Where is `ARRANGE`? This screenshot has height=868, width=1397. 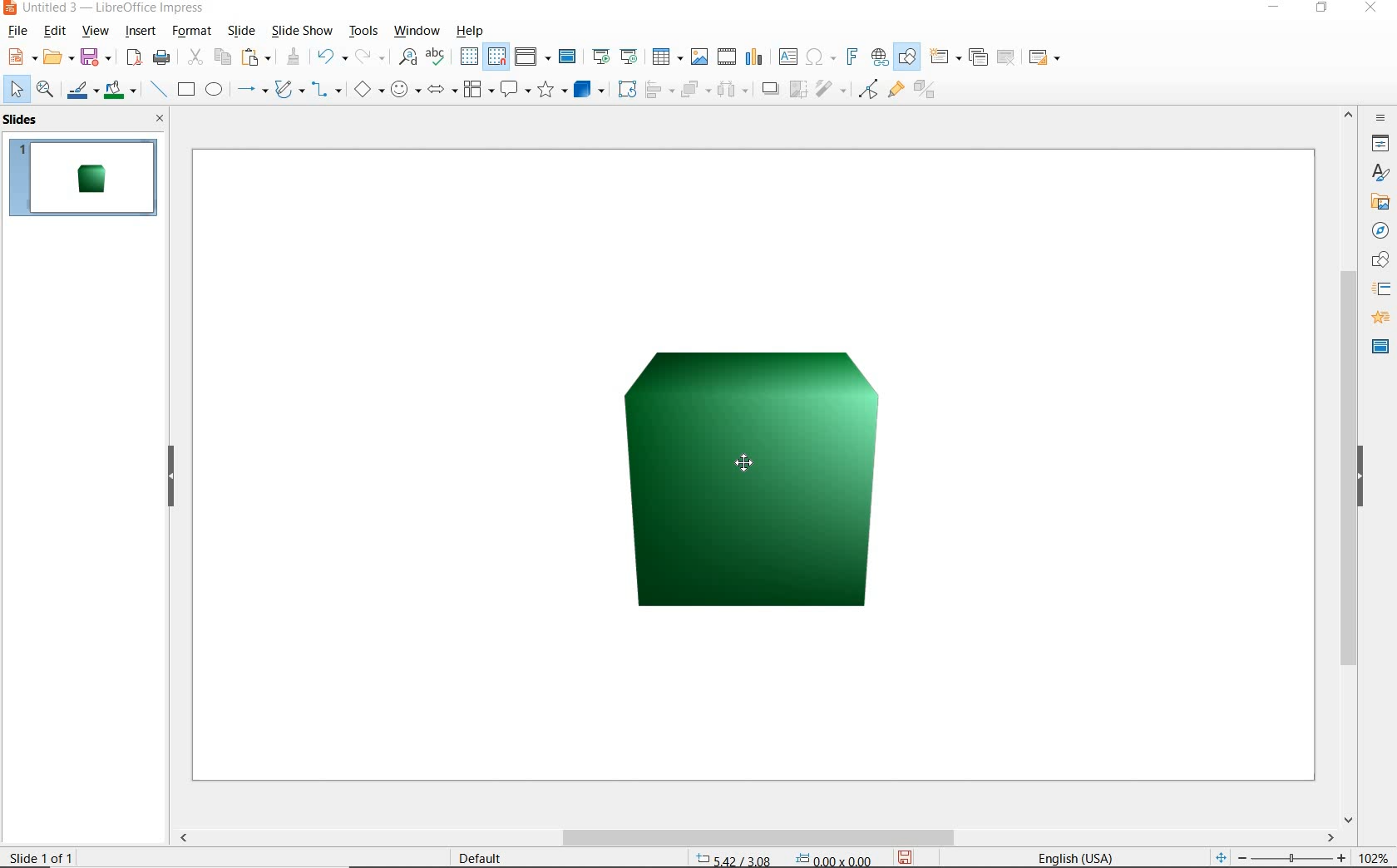 ARRANGE is located at coordinates (695, 90).